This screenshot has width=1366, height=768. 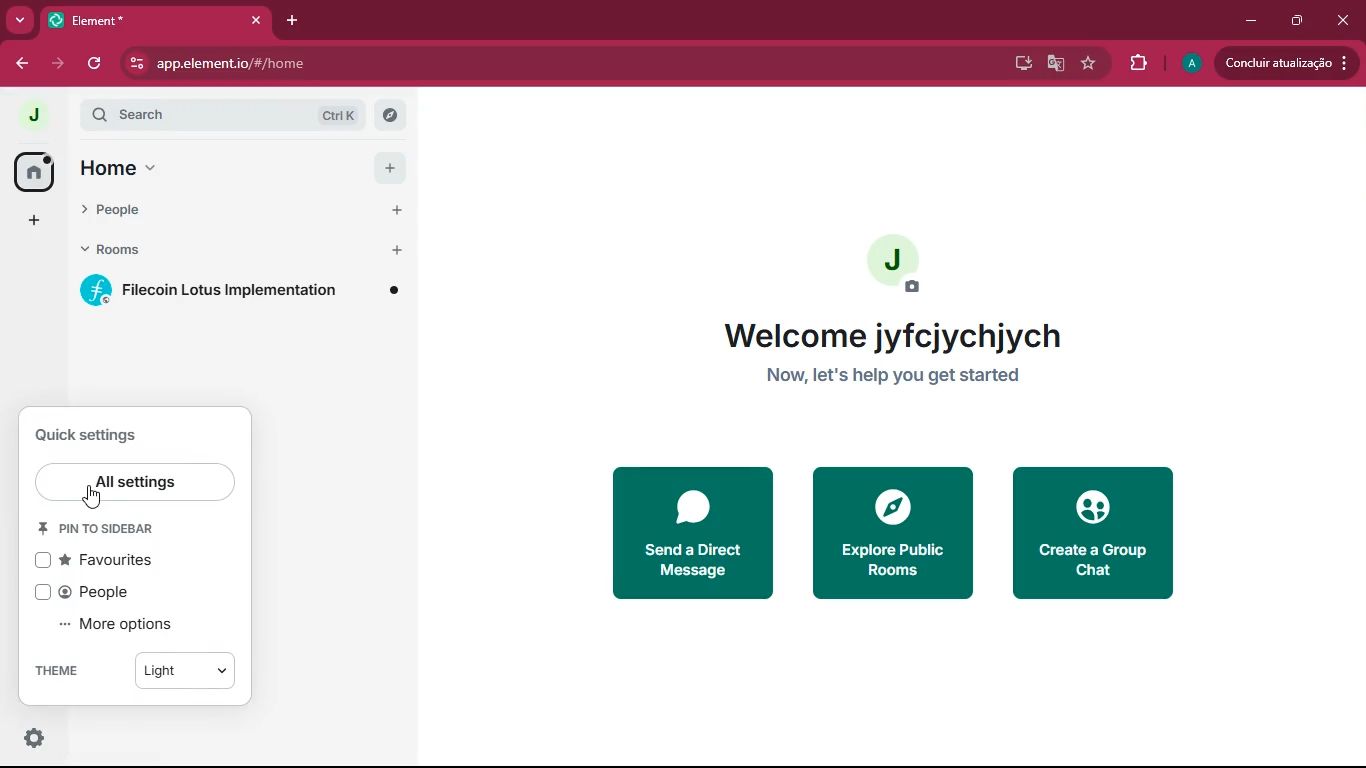 I want to click on app.element.io/#/home, so click(x=342, y=62).